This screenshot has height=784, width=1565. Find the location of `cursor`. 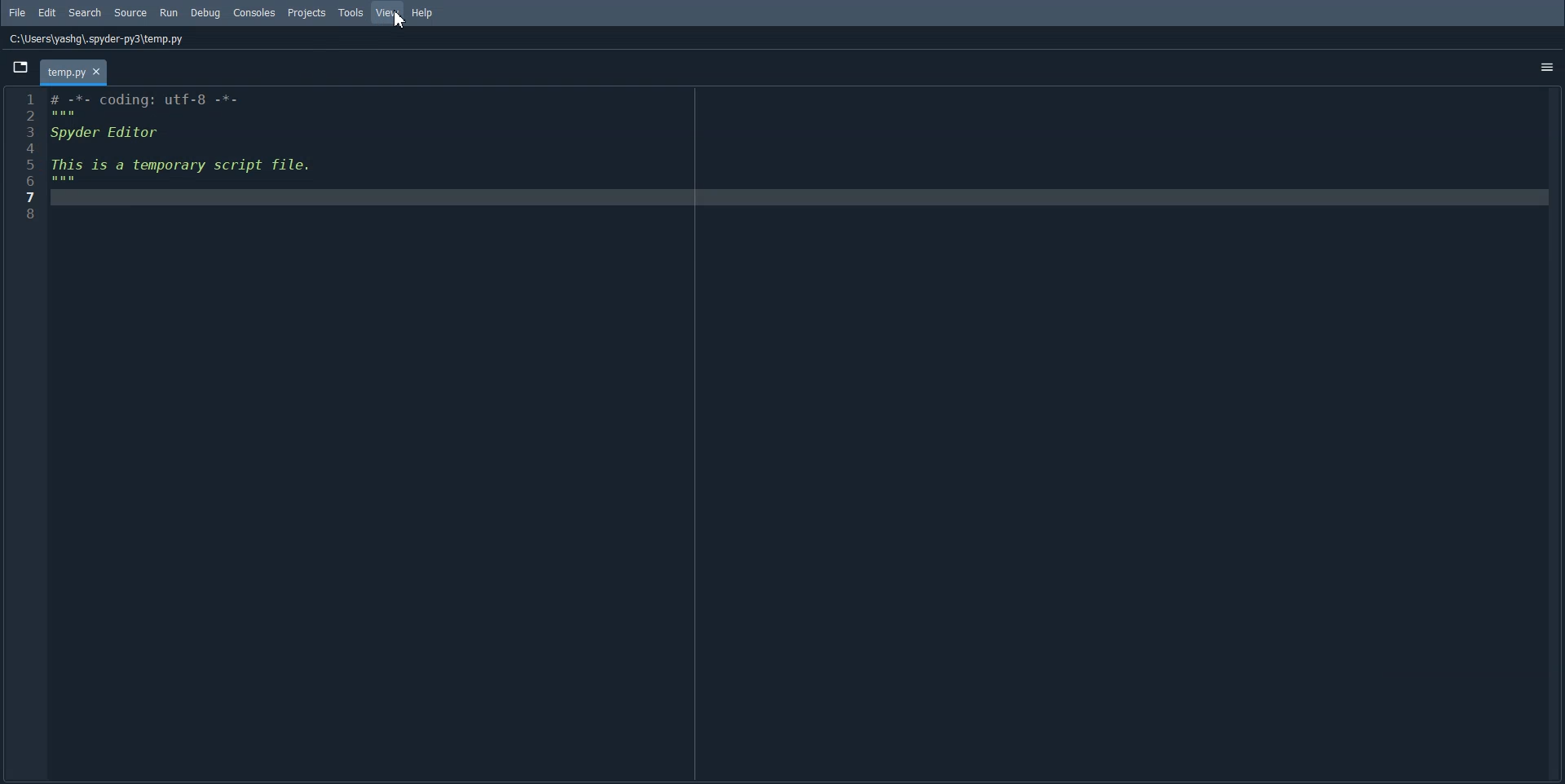

cursor is located at coordinates (394, 21).